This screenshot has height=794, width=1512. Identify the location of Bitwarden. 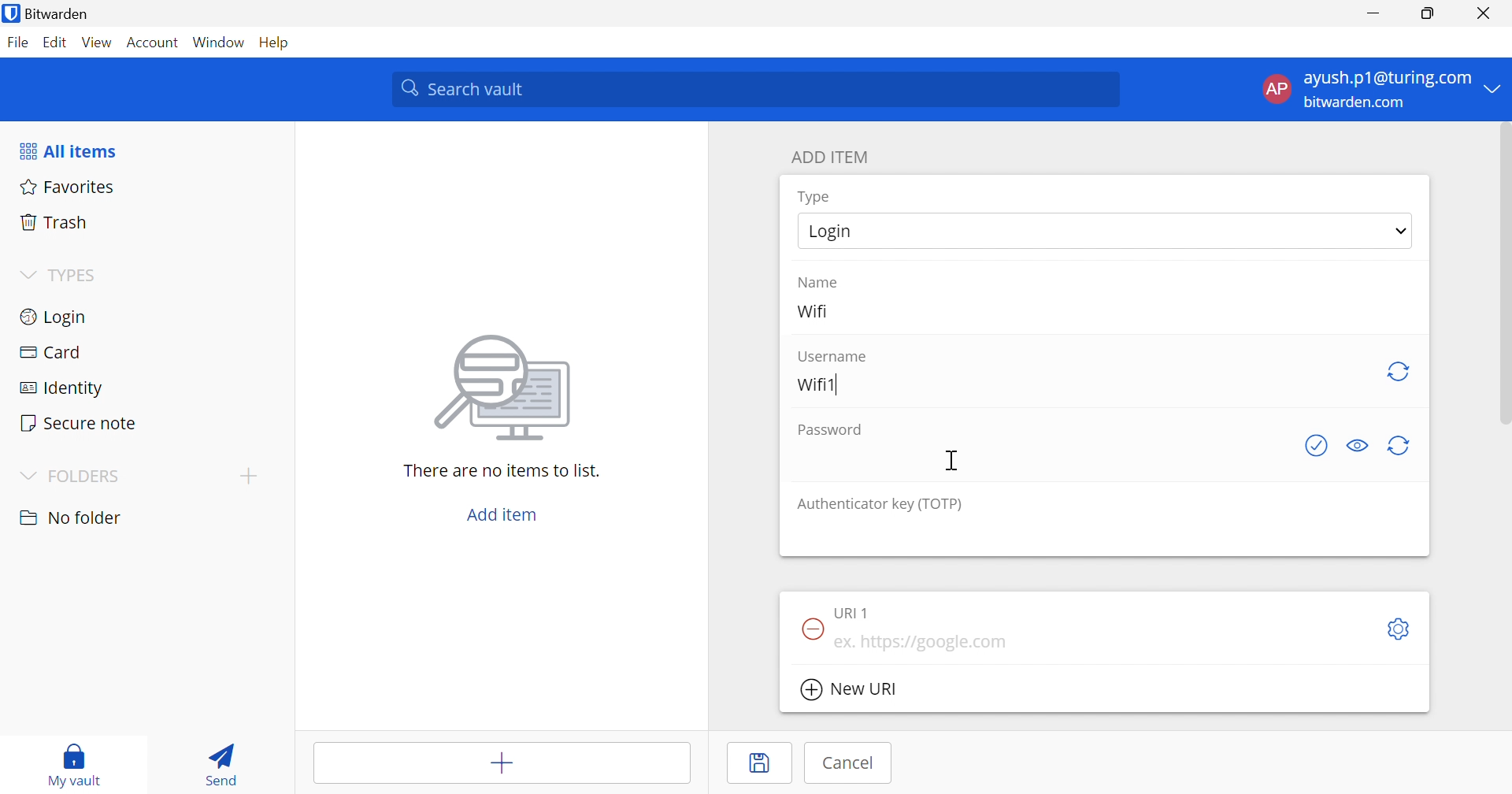
(48, 13).